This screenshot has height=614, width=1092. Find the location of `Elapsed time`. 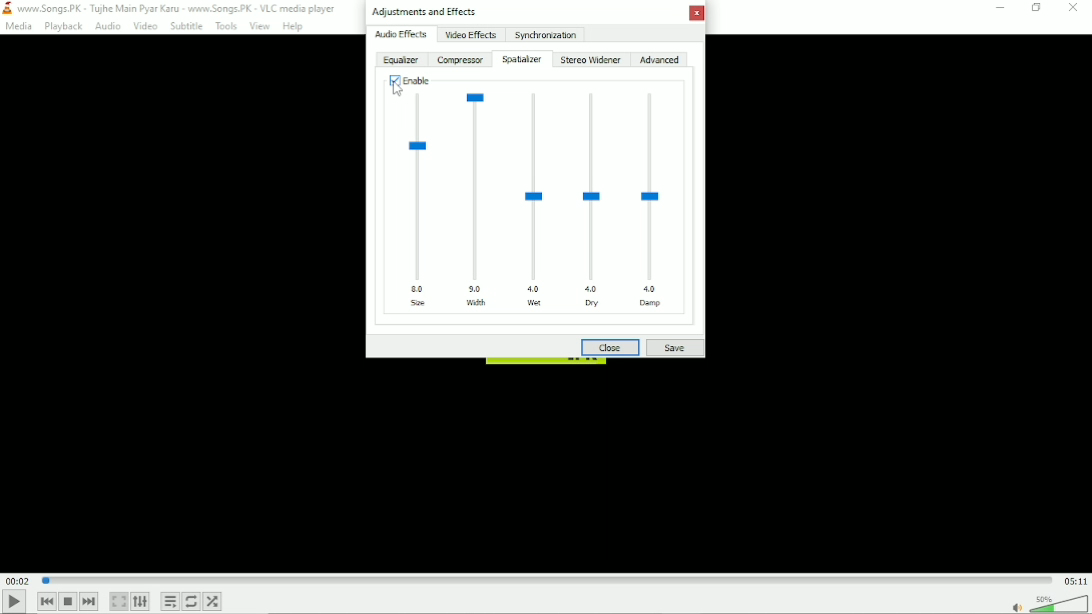

Elapsed time is located at coordinates (17, 581).